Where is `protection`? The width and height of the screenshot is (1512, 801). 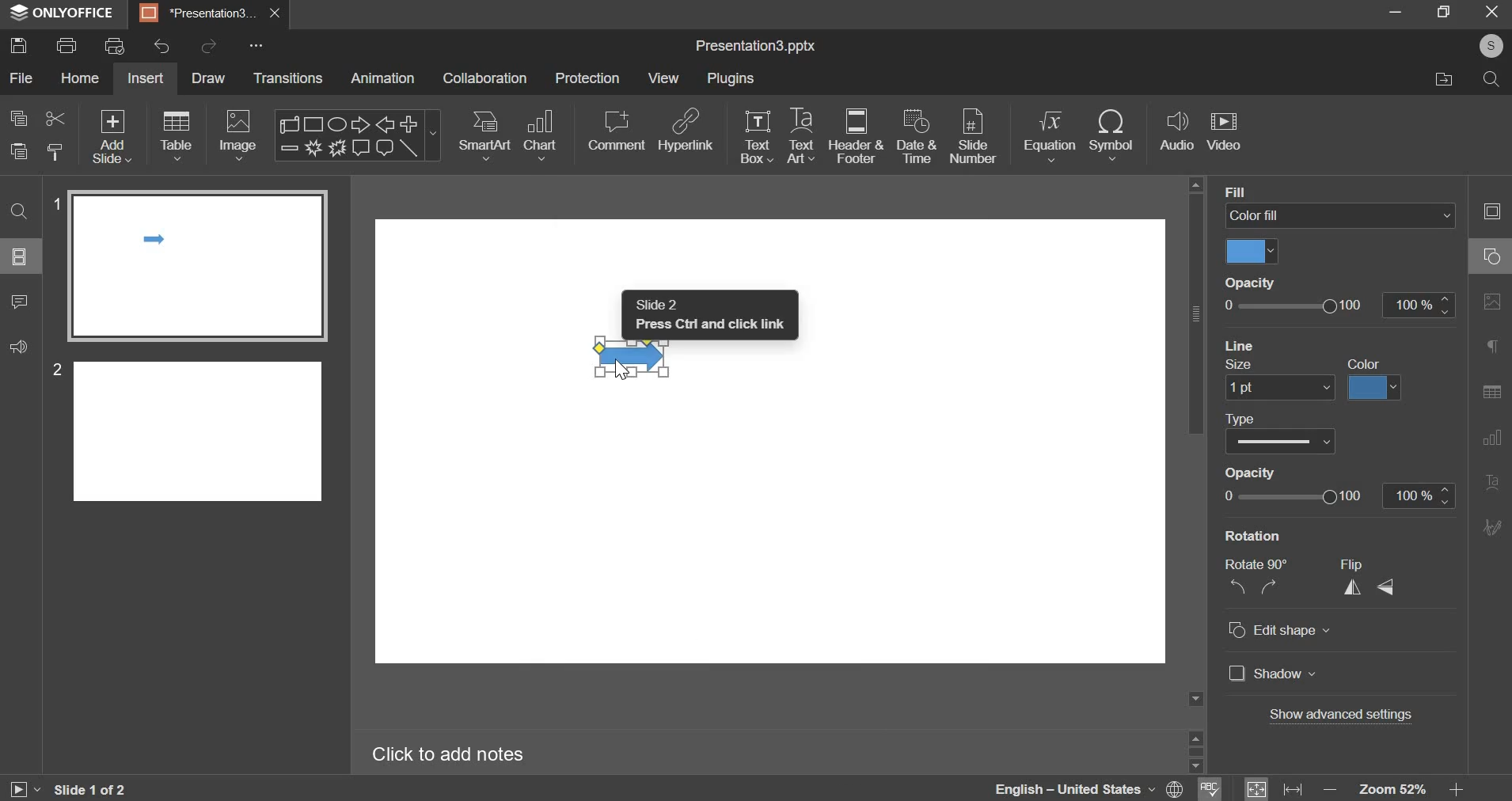
protection is located at coordinates (587, 78).